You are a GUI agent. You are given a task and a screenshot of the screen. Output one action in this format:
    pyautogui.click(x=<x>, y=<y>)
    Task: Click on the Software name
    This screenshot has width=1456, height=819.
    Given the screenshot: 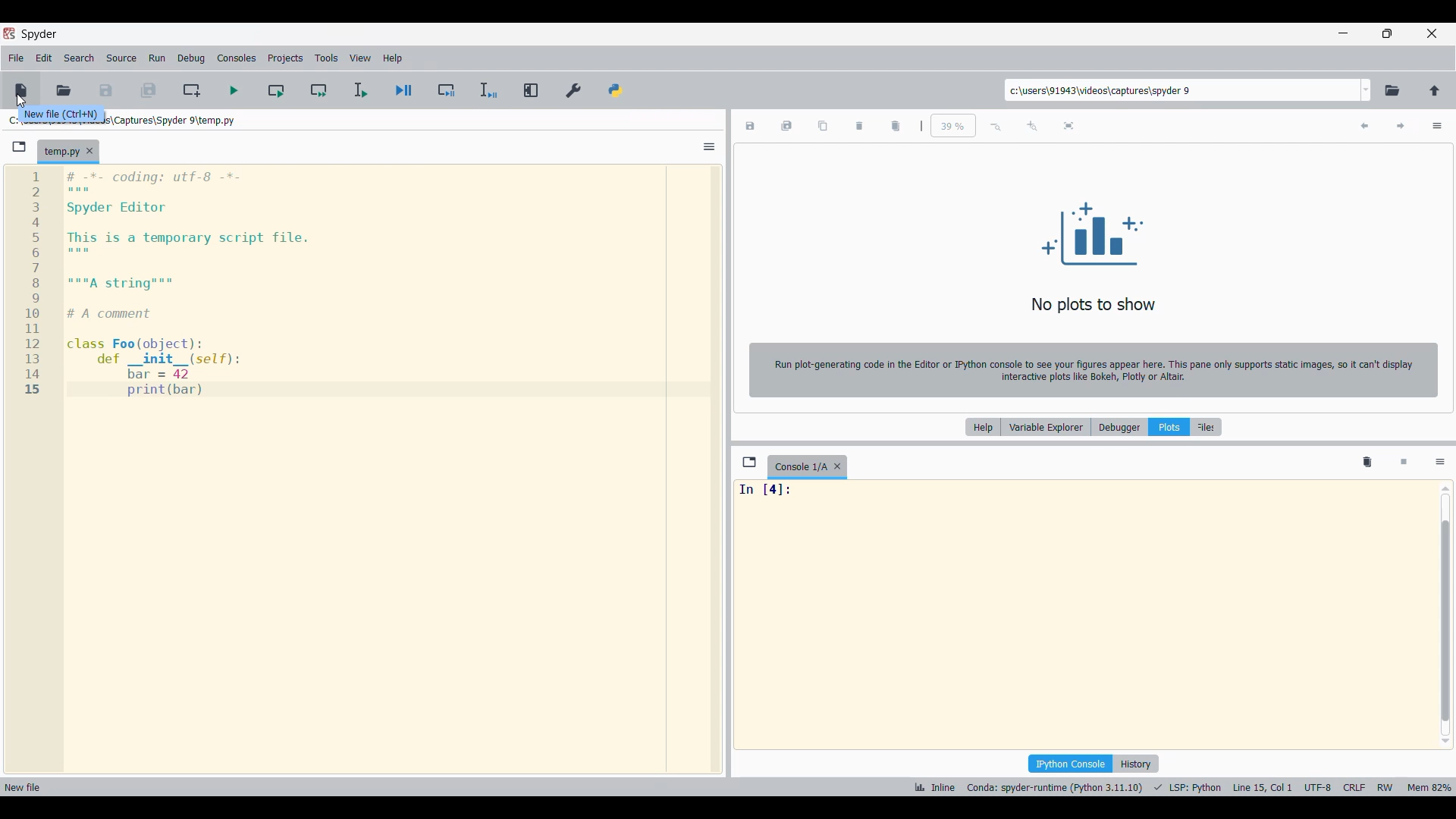 What is the action you would take?
    pyautogui.click(x=39, y=35)
    